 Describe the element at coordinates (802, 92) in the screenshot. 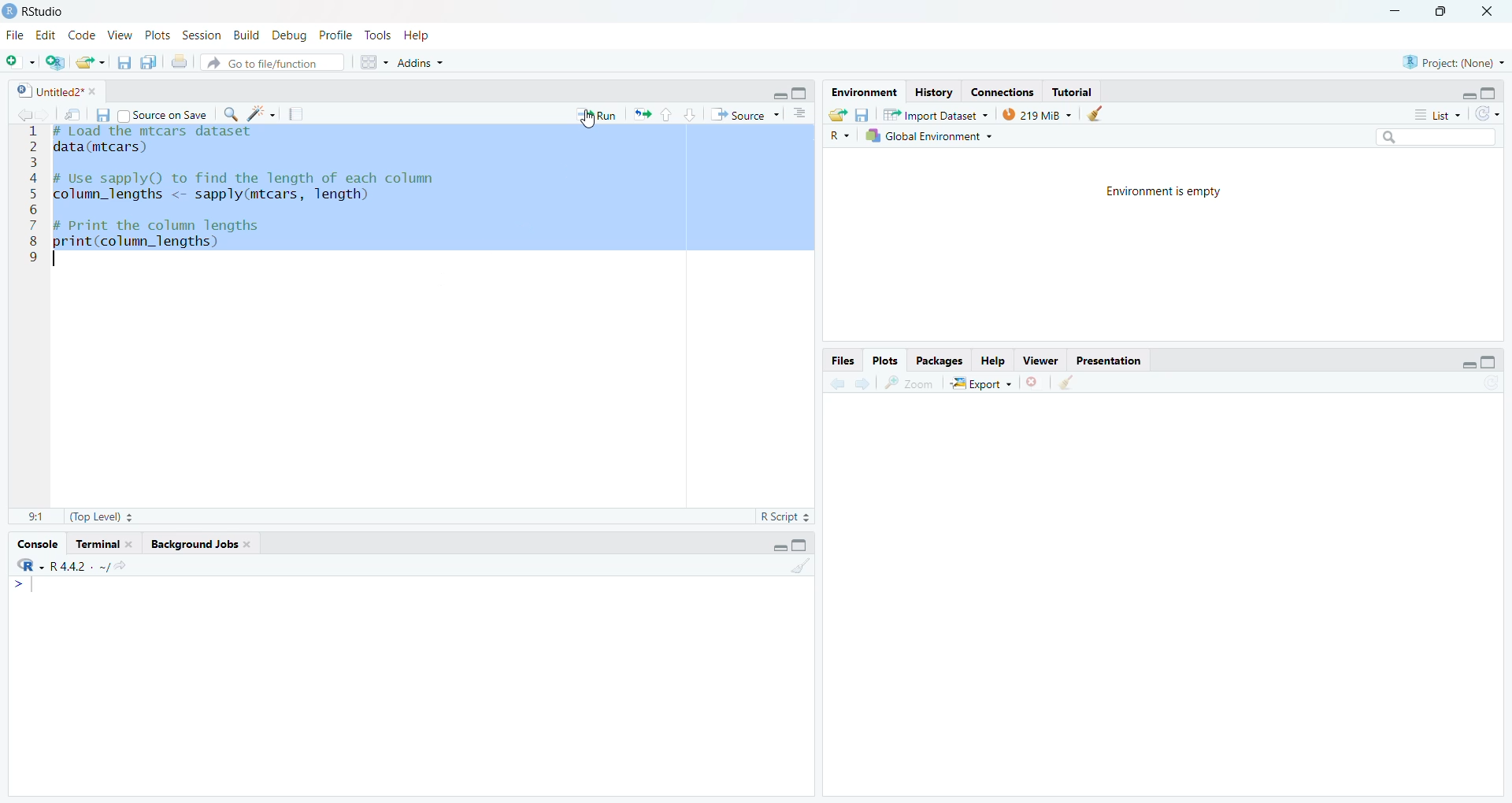

I see `Full height` at that location.